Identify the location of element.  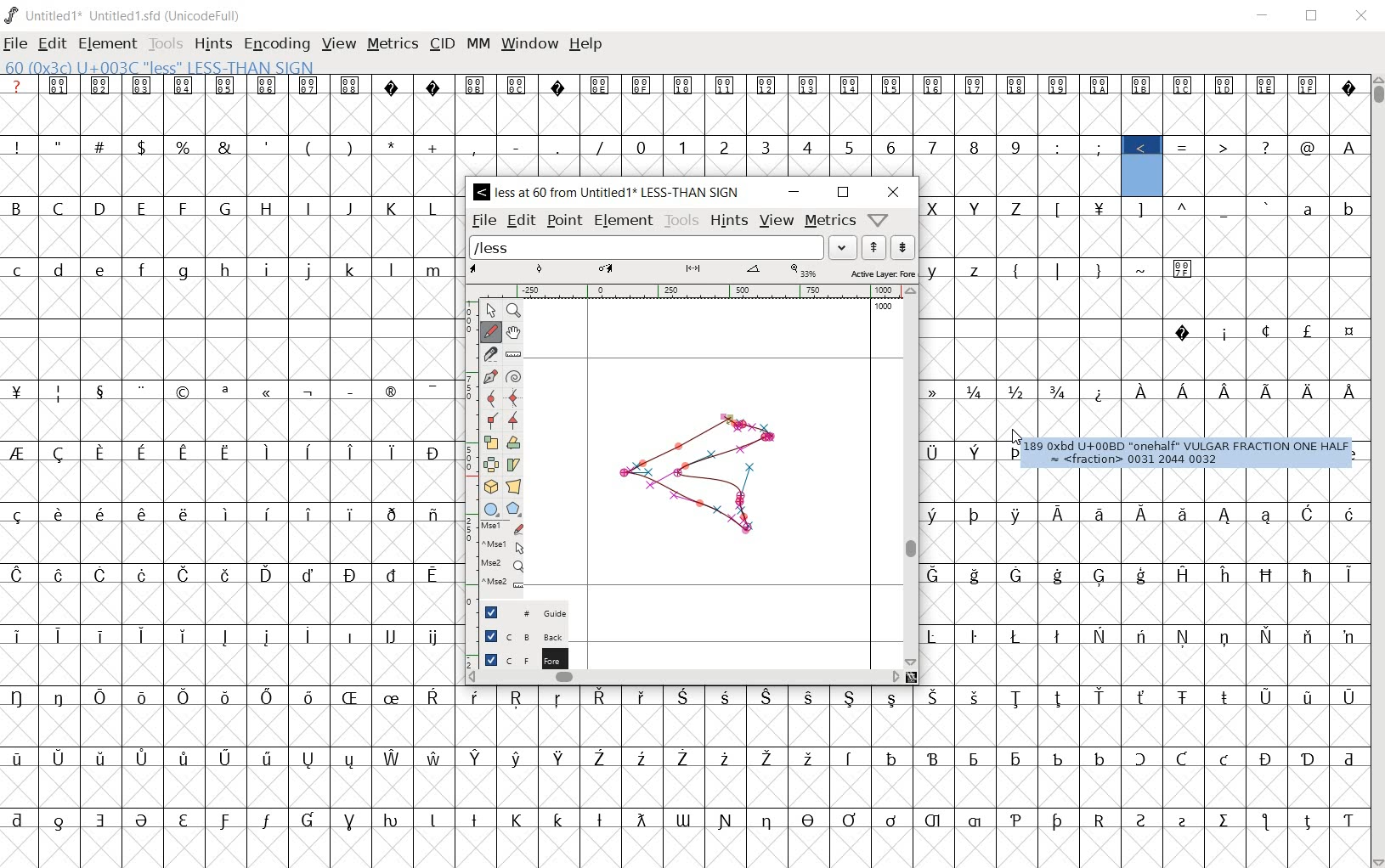
(625, 222).